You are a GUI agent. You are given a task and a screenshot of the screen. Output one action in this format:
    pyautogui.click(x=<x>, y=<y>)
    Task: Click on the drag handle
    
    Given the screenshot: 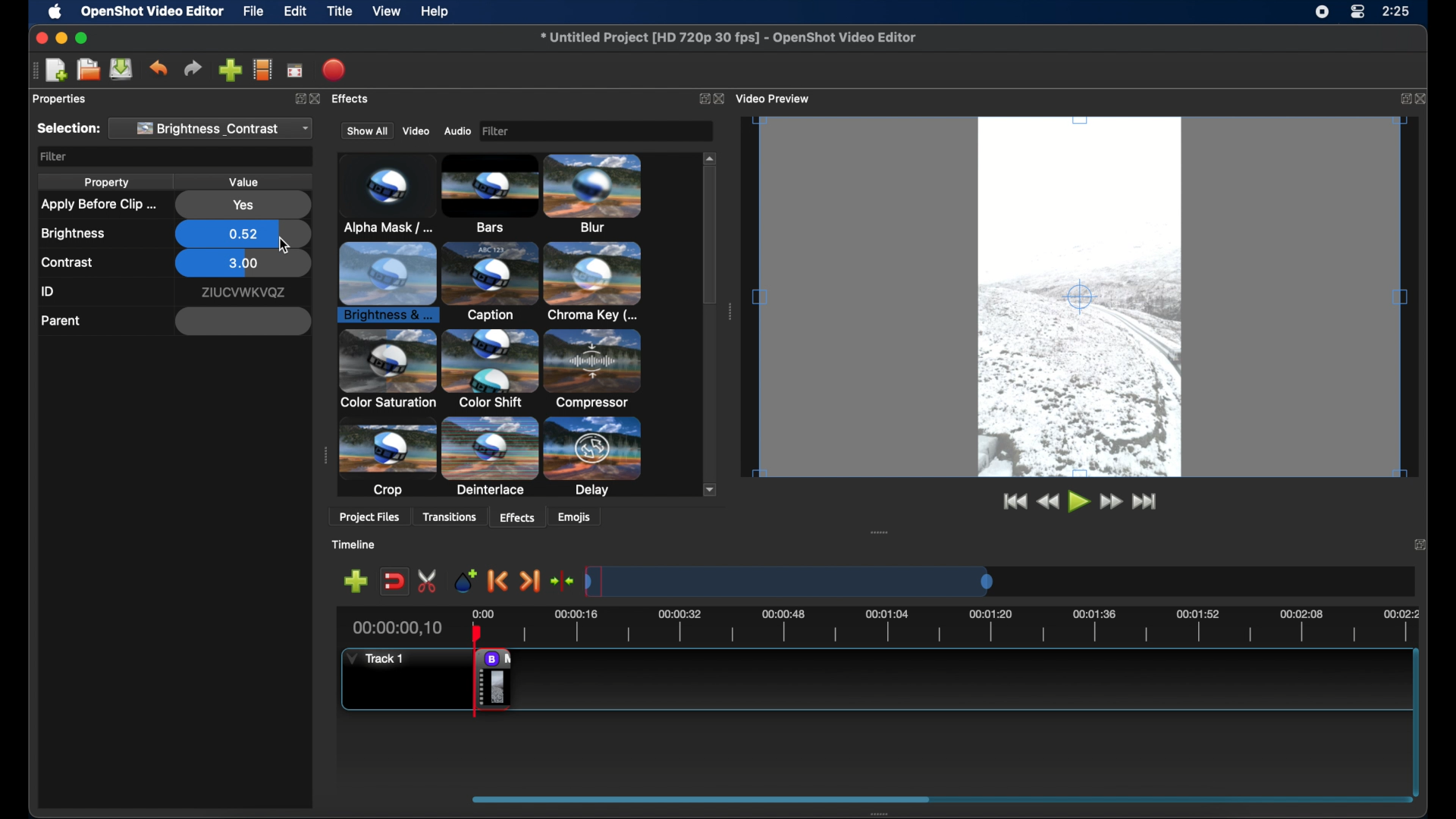 What is the action you would take?
    pyautogui.click(x=873, y=814)
    